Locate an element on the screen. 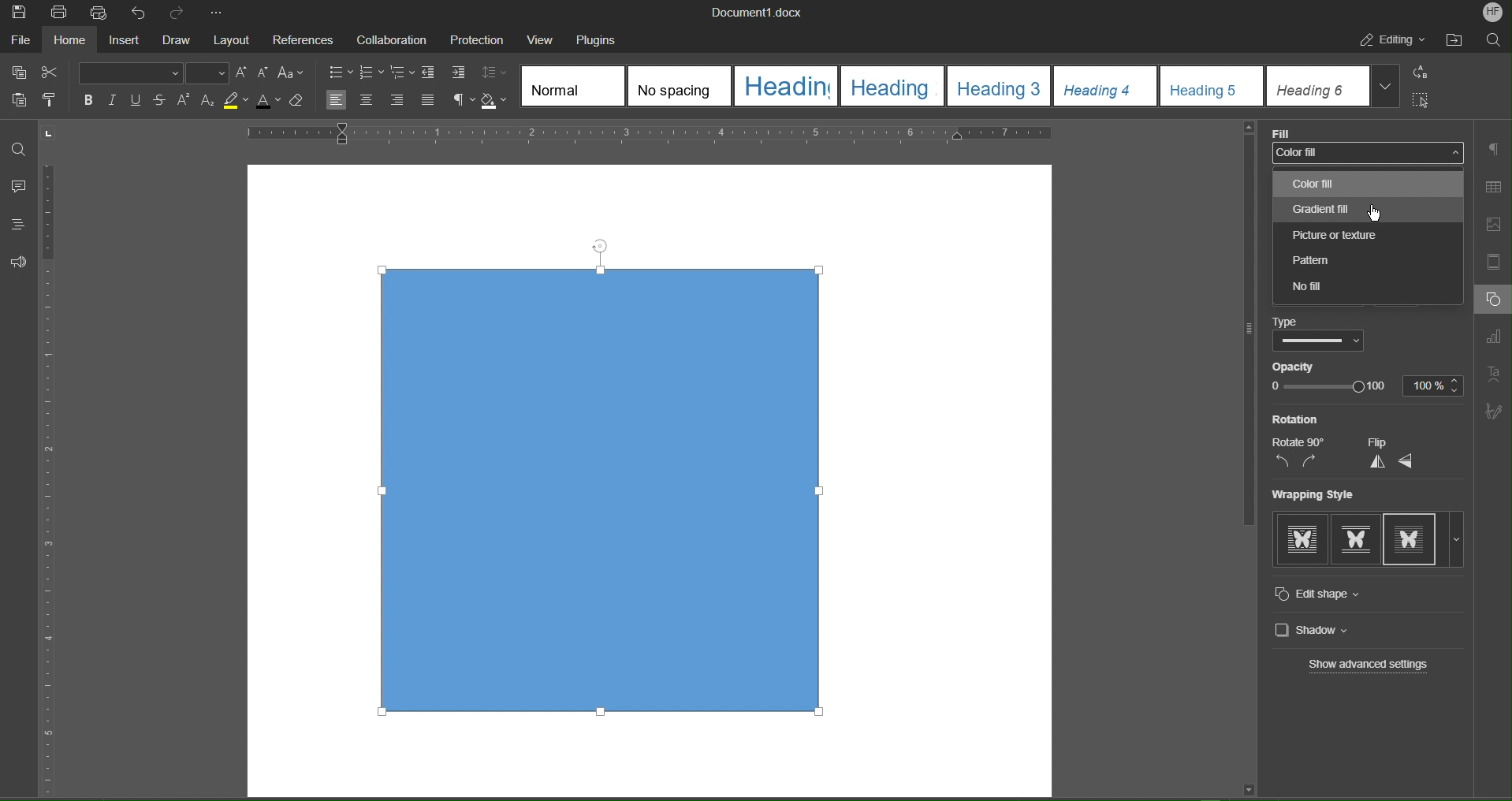 This screenshot has height=801, width=1512. Justify is located at coordinates (430, 101).